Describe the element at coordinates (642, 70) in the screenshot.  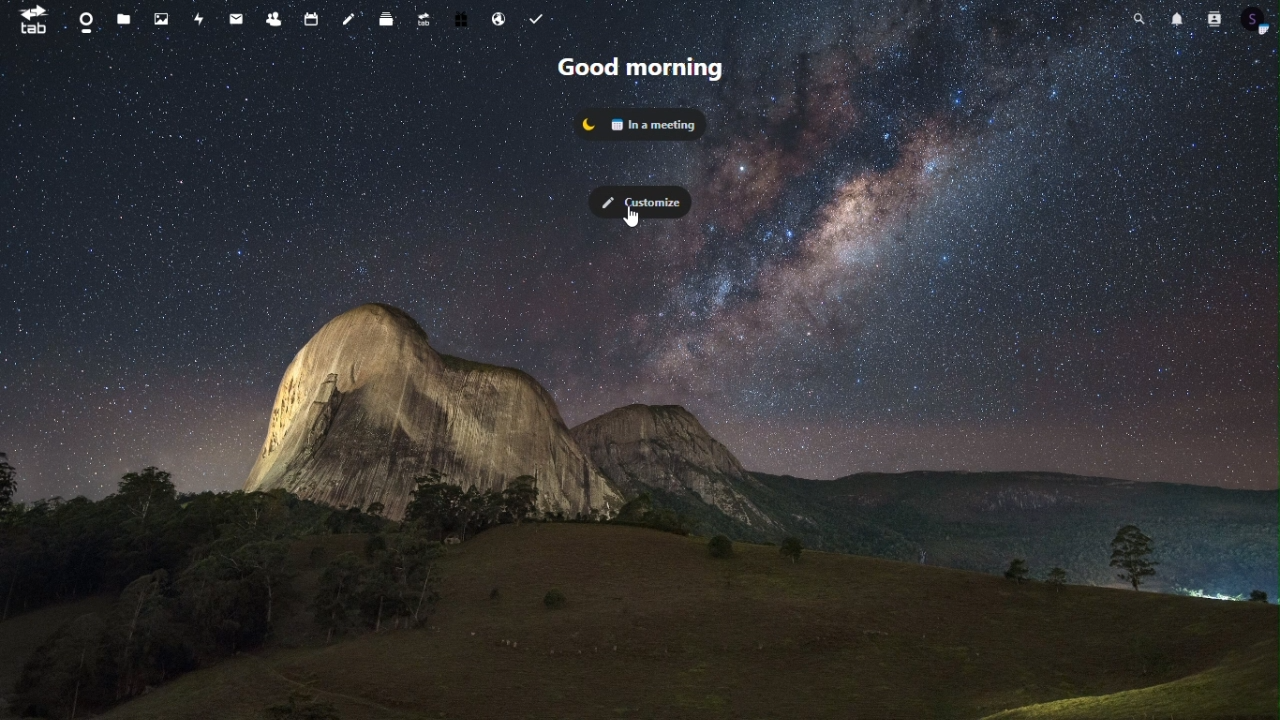
I see `good morning` at that location.